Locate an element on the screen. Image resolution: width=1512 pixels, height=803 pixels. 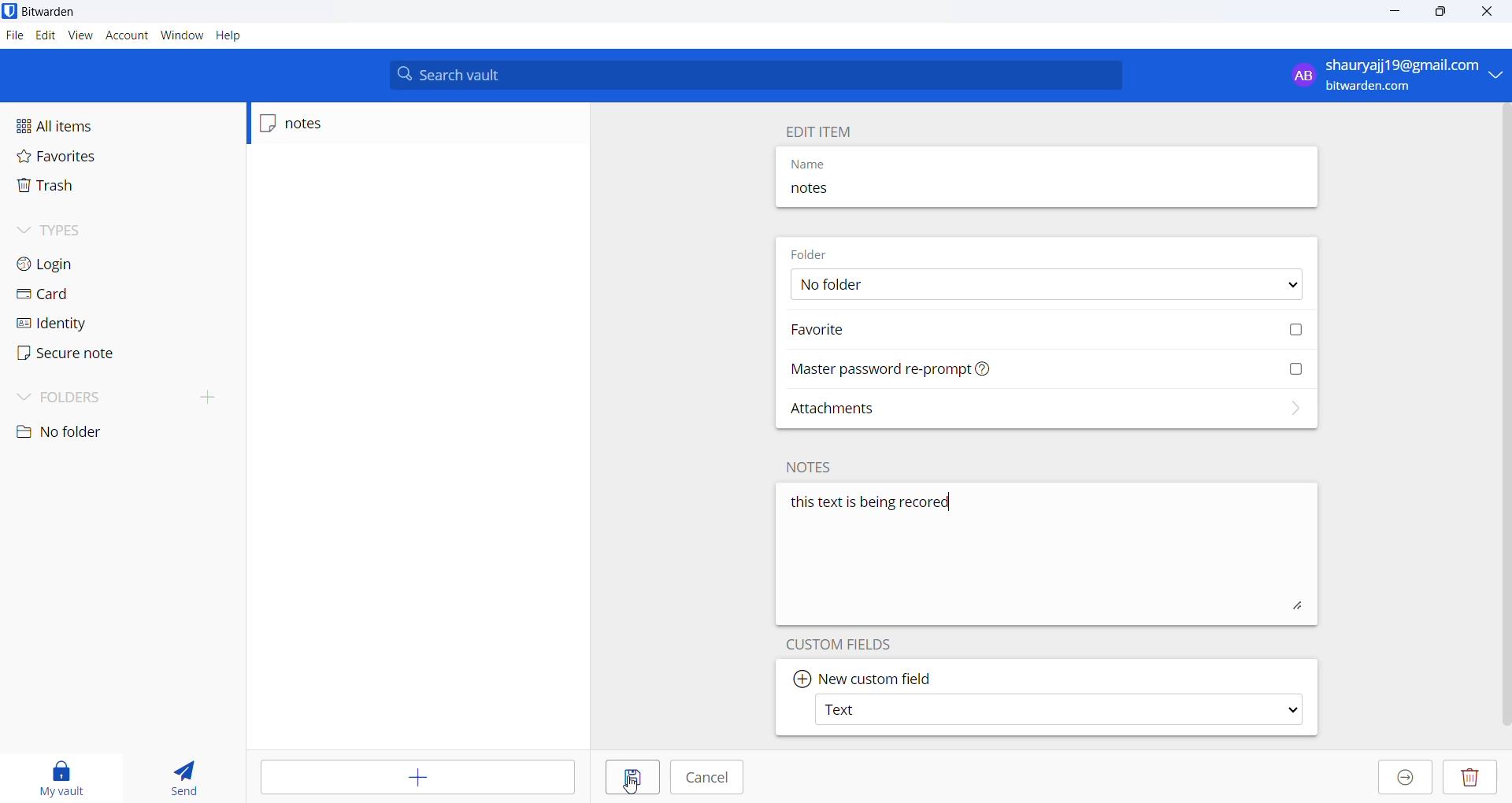
Master password re-prompt is located at coordinates (1048, 369).